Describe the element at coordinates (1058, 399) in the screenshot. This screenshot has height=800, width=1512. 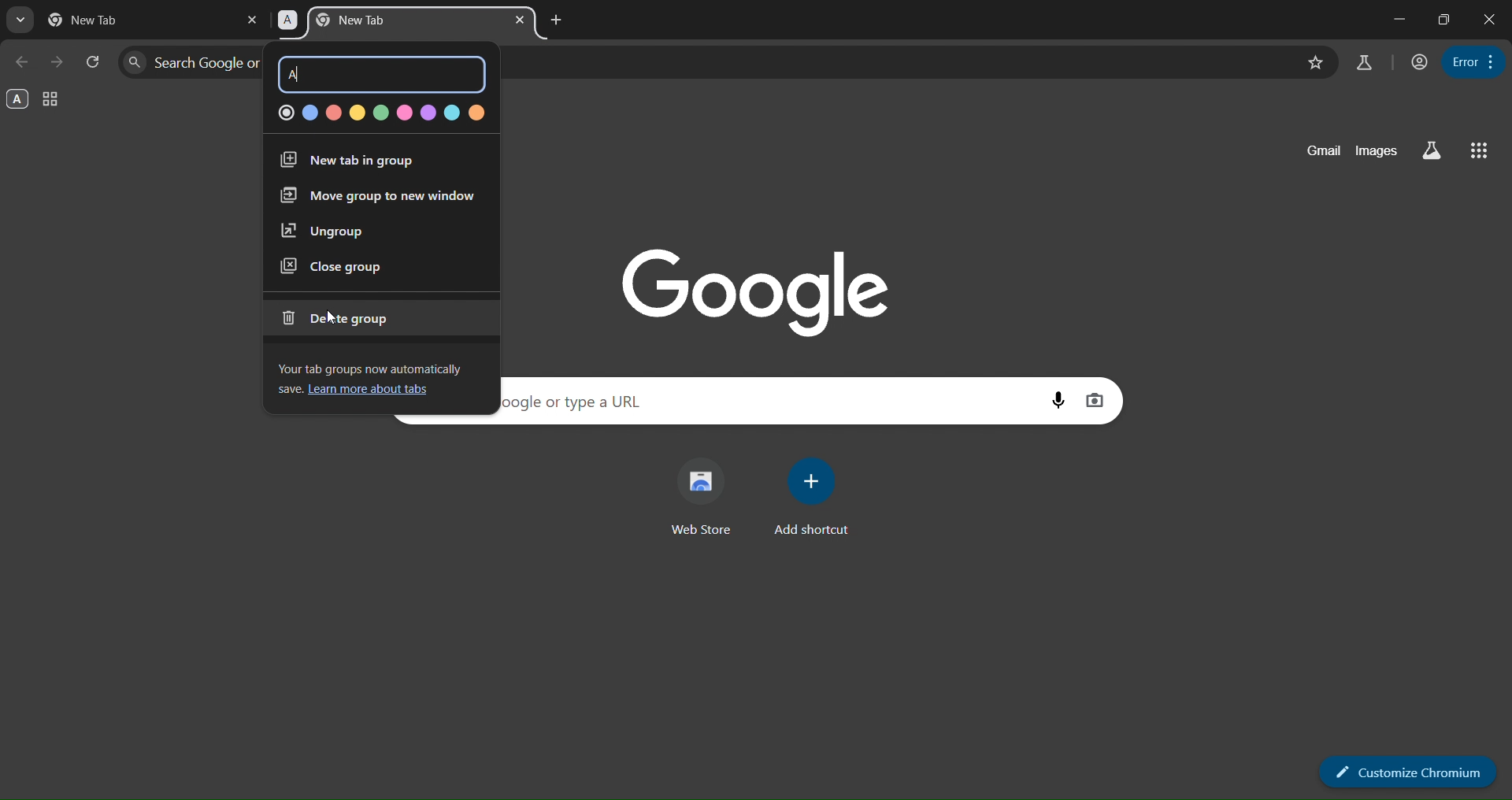
I see `voice search` at that location.